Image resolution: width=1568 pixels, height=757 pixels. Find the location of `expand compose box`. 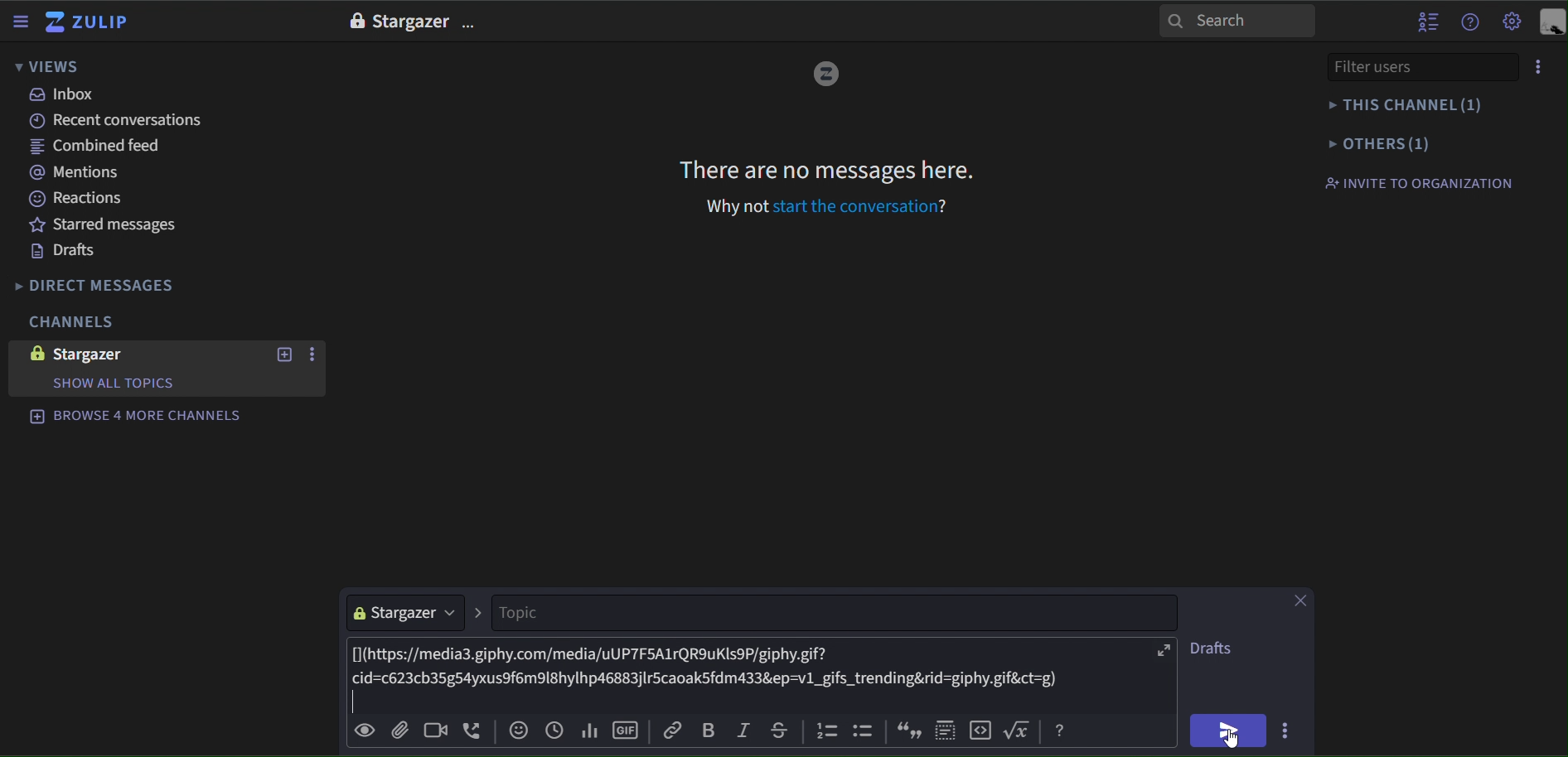

expand compose box is located at coordinates (1164, 652).